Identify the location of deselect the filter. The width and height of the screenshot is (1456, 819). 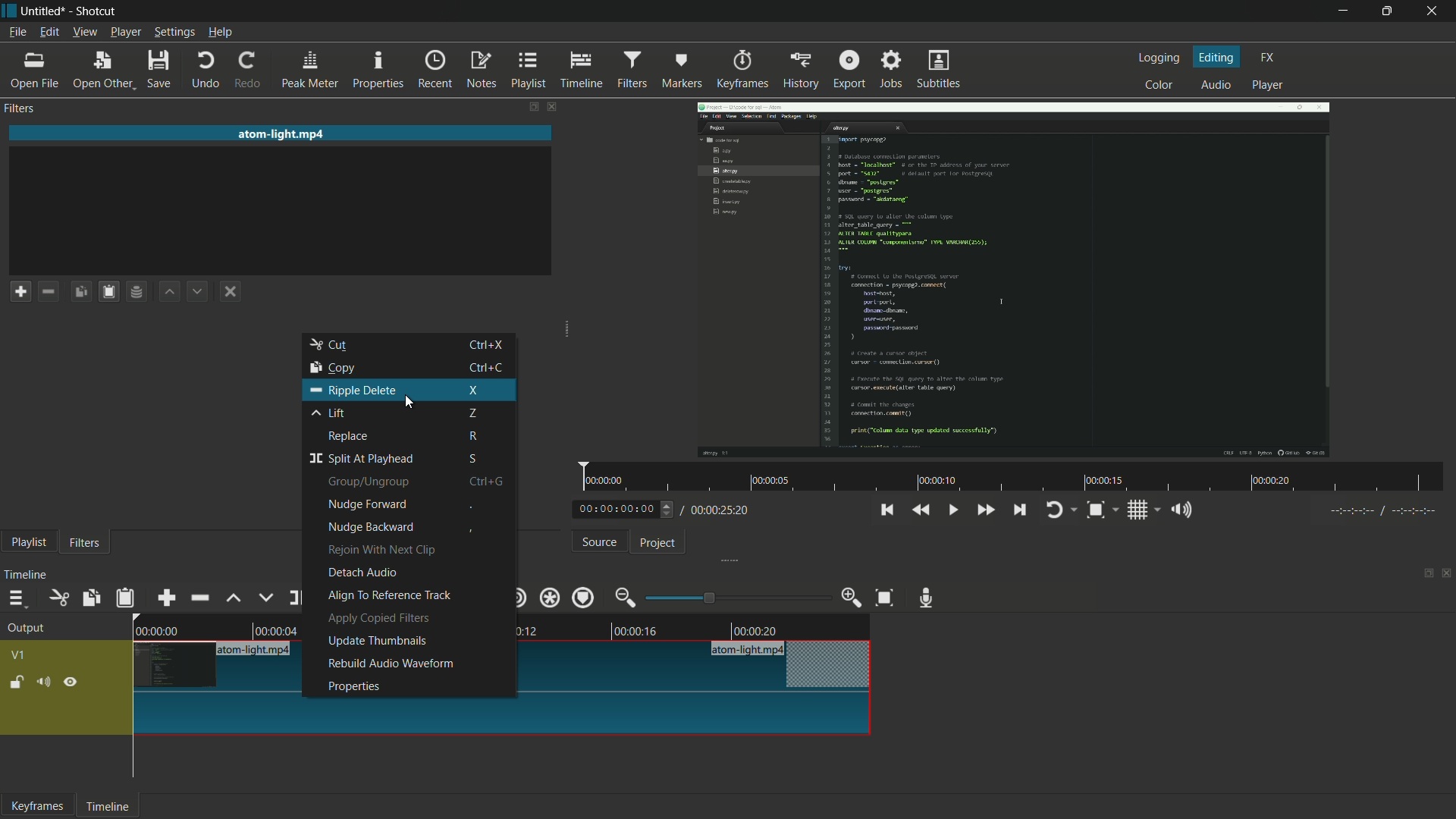
(230, 290).